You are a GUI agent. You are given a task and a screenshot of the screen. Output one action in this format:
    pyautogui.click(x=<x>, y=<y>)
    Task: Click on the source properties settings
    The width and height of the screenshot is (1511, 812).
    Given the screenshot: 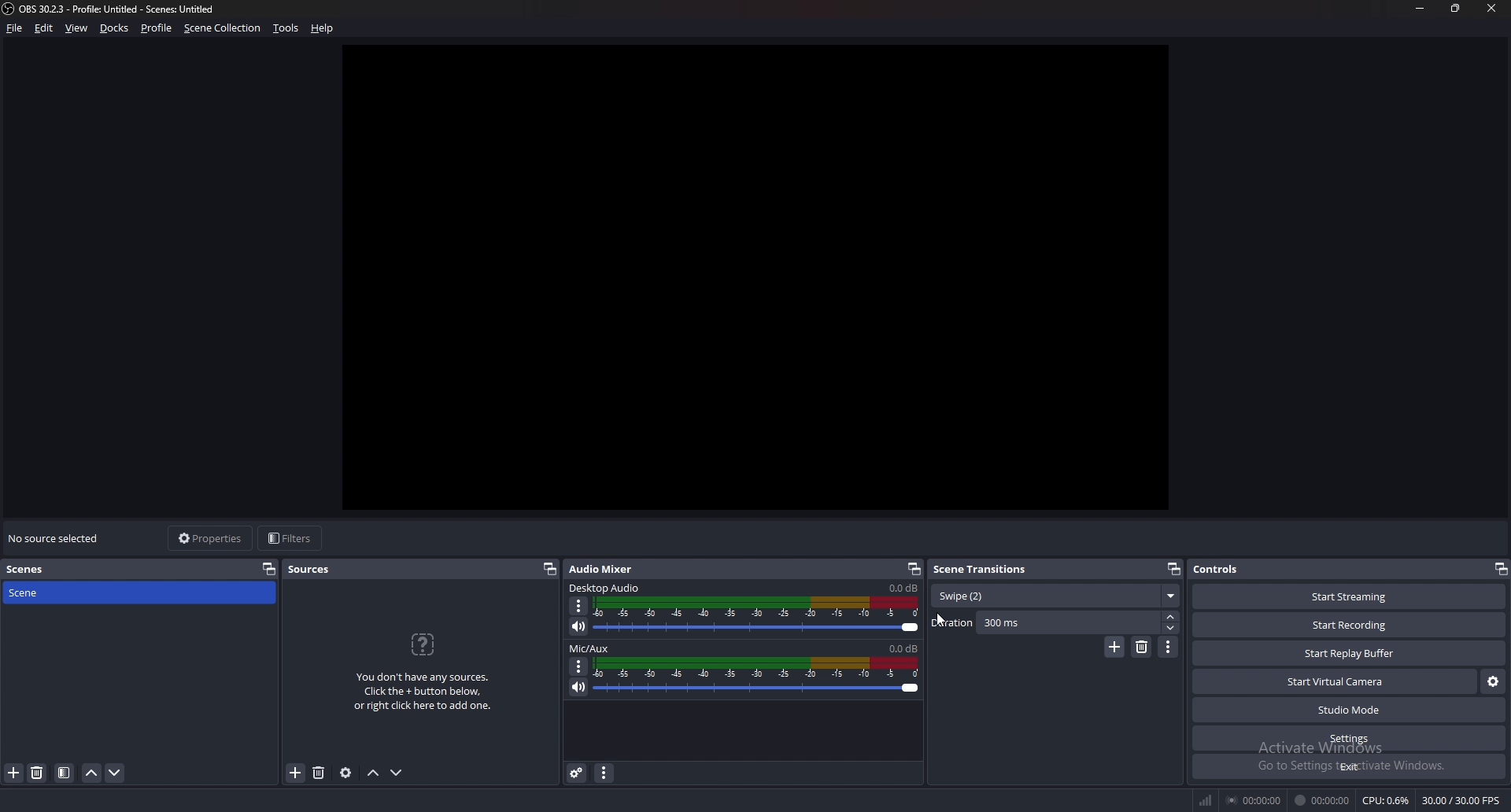 What is the action you would take?
    pyautogui.click(x=347, y=773)
    